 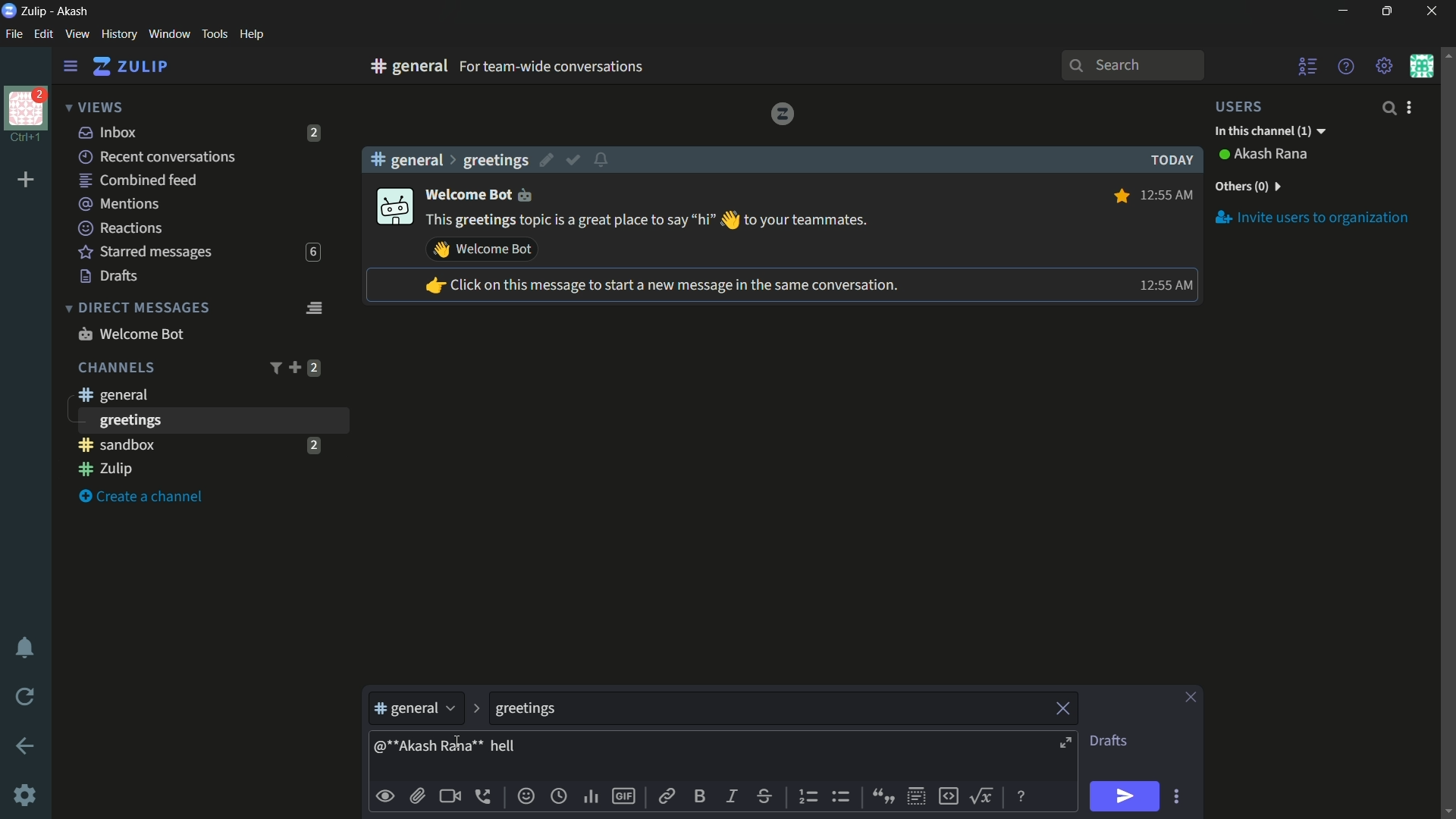 I want to click on scroll up, so click(x=1447, y=54).